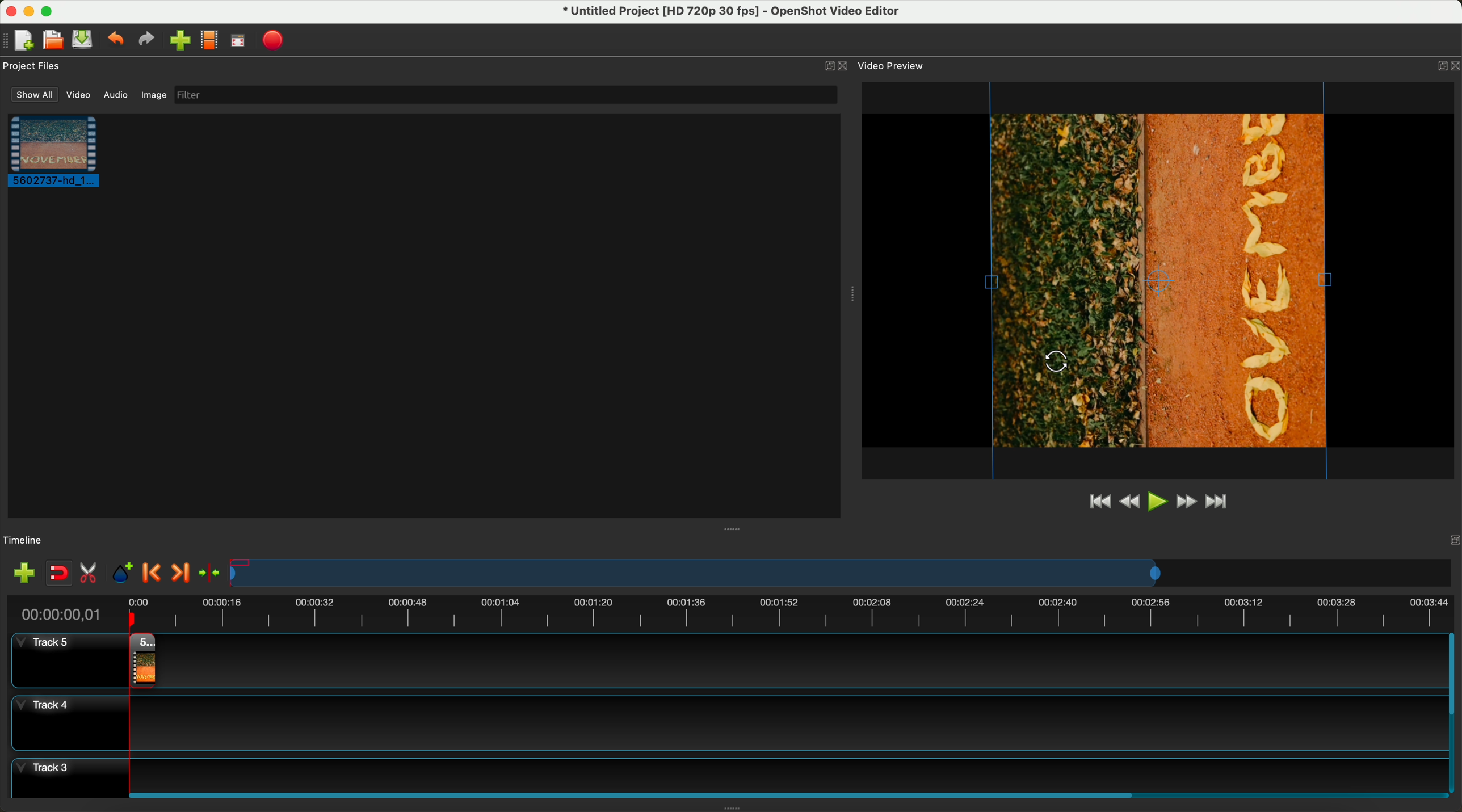 The image size is (1462, 812). What do you see at coordinates (78, 96) in the screenshot?
I see `video` at bounding box center [78, 96].